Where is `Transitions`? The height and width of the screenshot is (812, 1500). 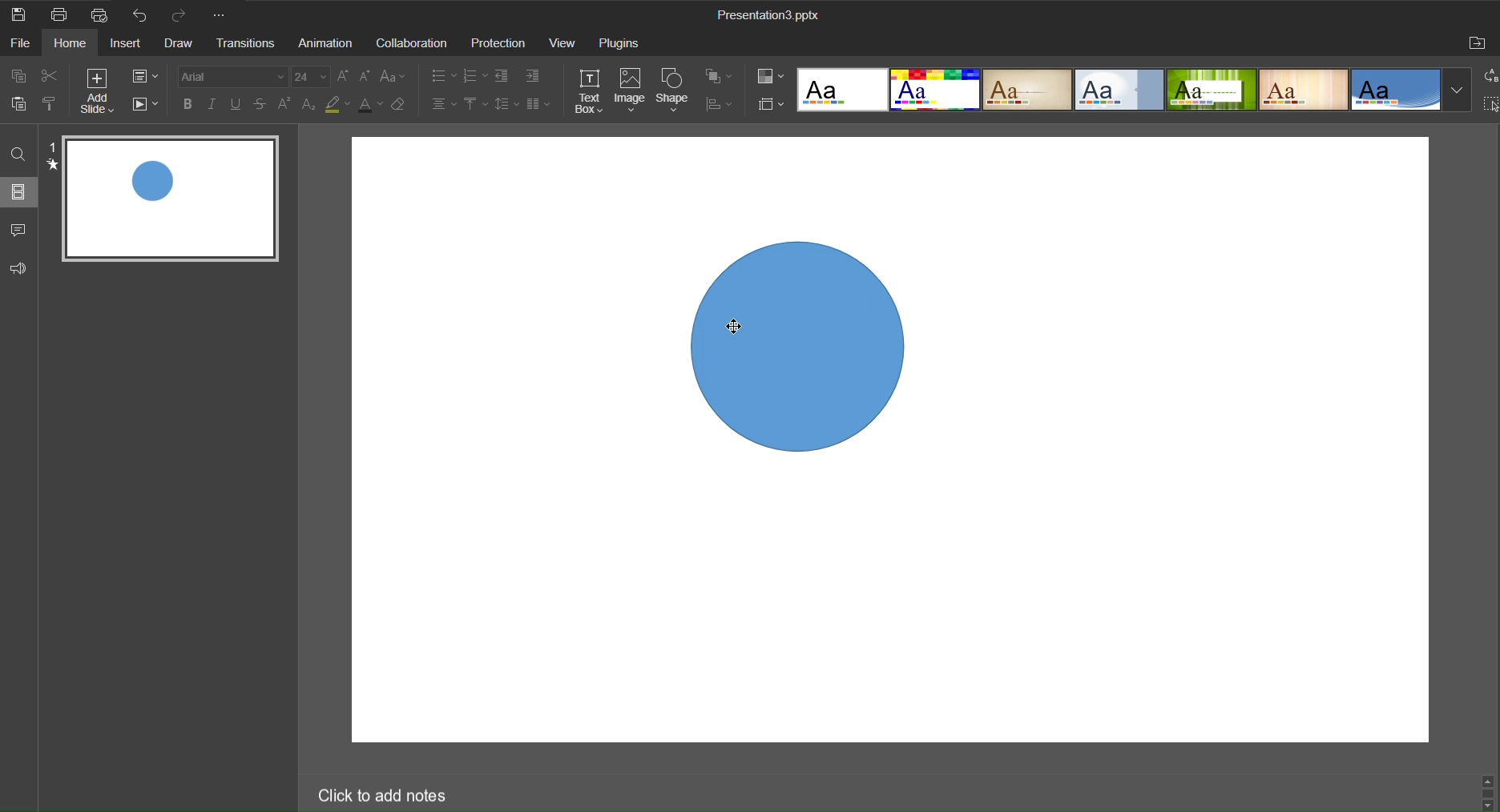
Transitions is located at coordinates (249, 46).